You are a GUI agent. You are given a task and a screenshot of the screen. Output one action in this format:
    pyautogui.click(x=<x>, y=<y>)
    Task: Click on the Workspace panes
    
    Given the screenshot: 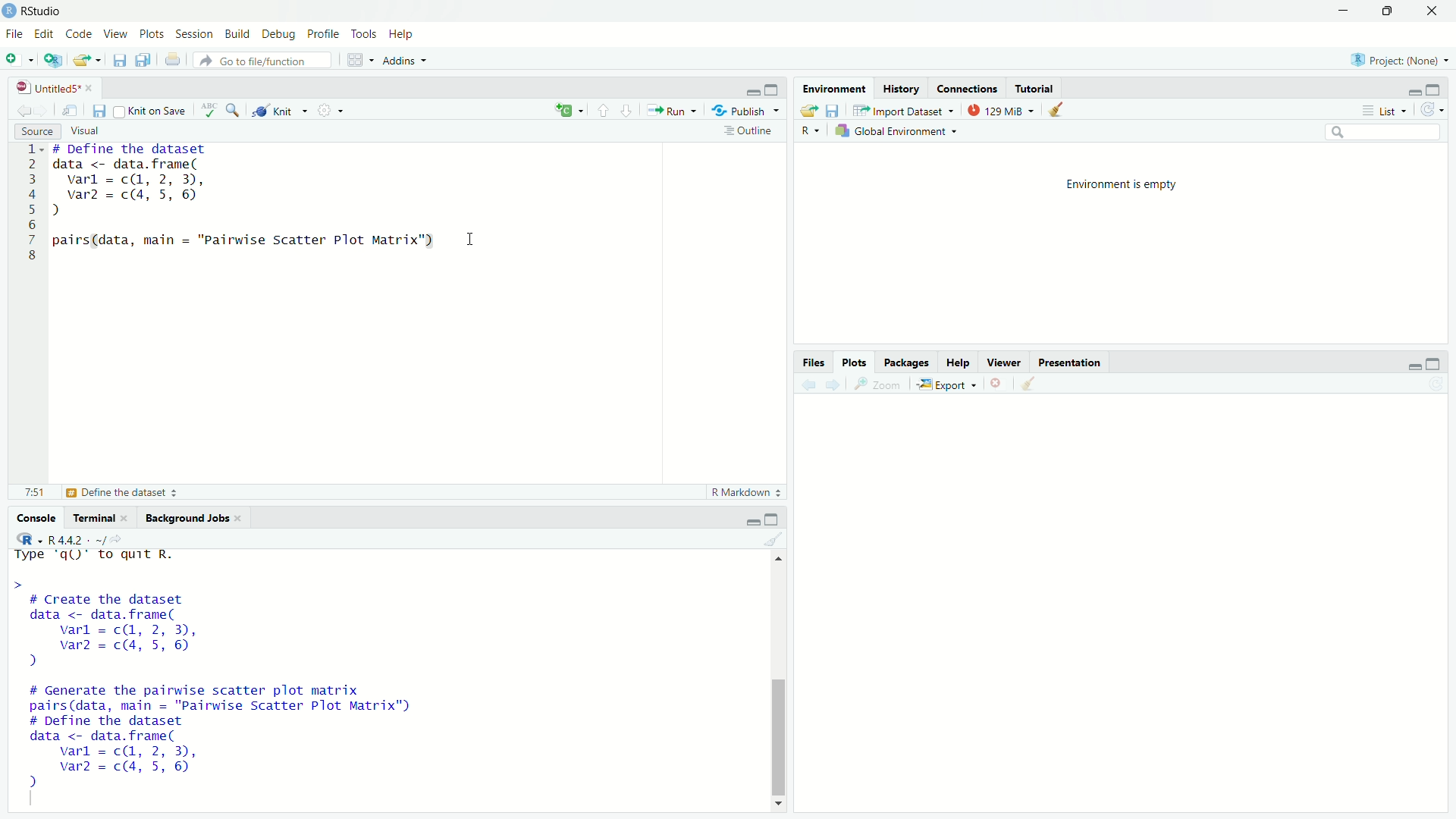 What is the action you would take?
    pyautogui.click(x=357, y=58)
    